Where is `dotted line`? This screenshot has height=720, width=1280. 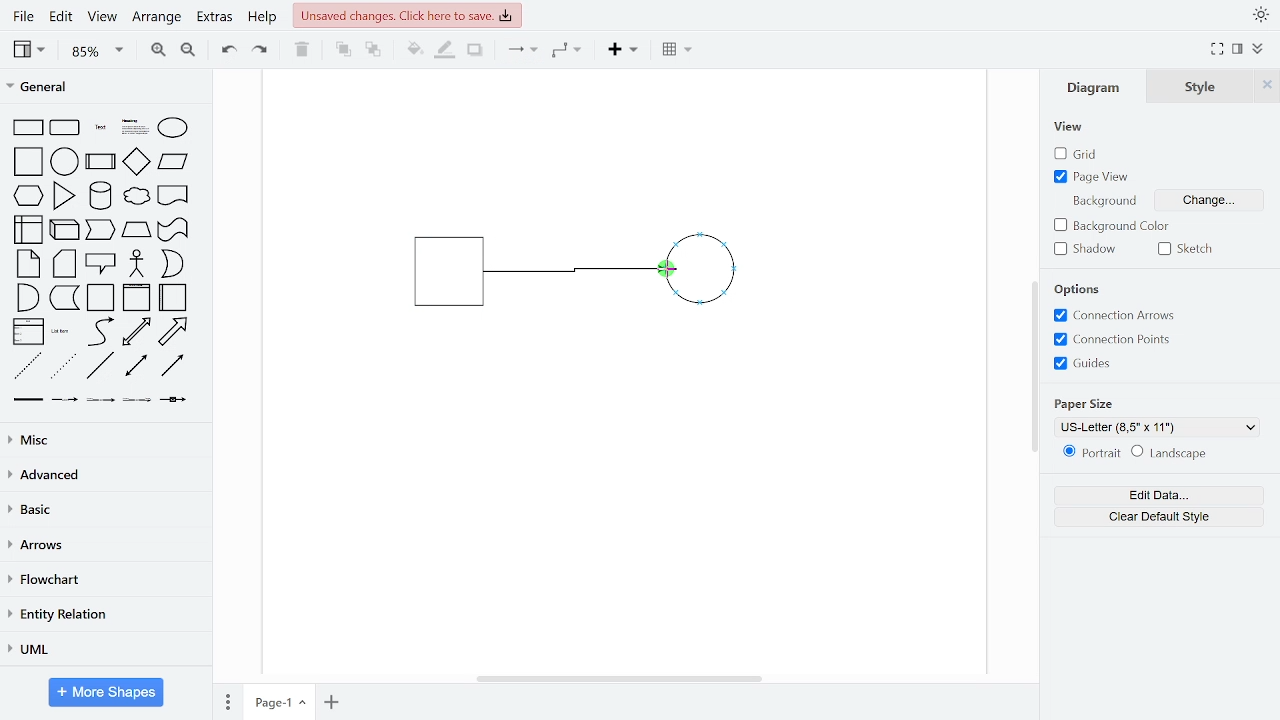 dotted line is located at coordinates (63, 367).